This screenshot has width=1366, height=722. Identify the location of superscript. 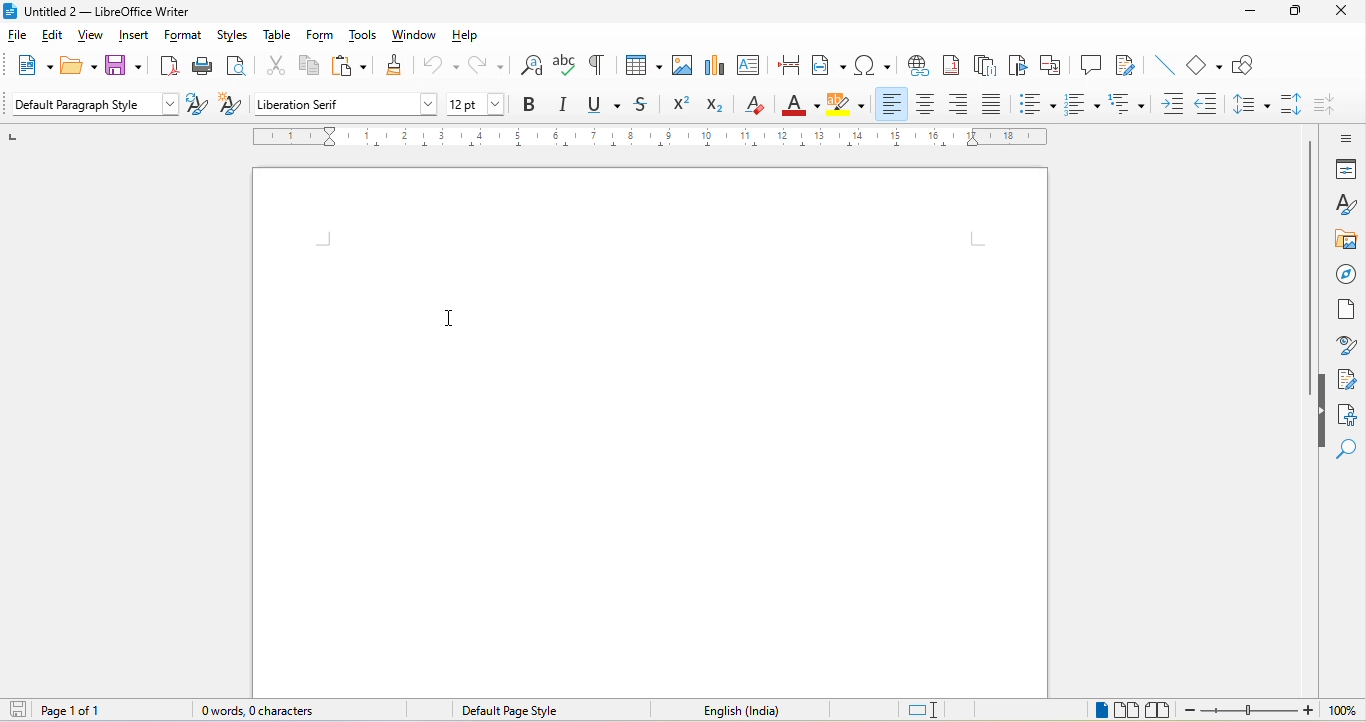
(682, 107).